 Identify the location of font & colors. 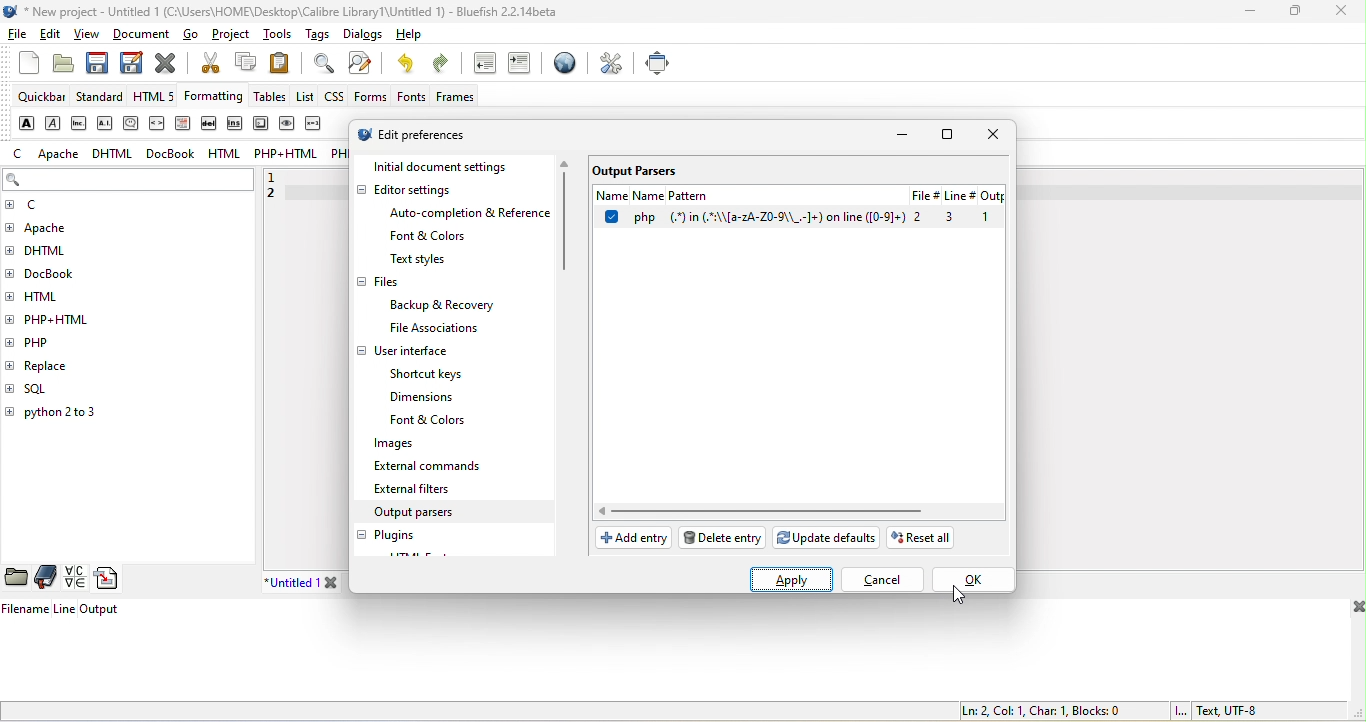
(432, 237).